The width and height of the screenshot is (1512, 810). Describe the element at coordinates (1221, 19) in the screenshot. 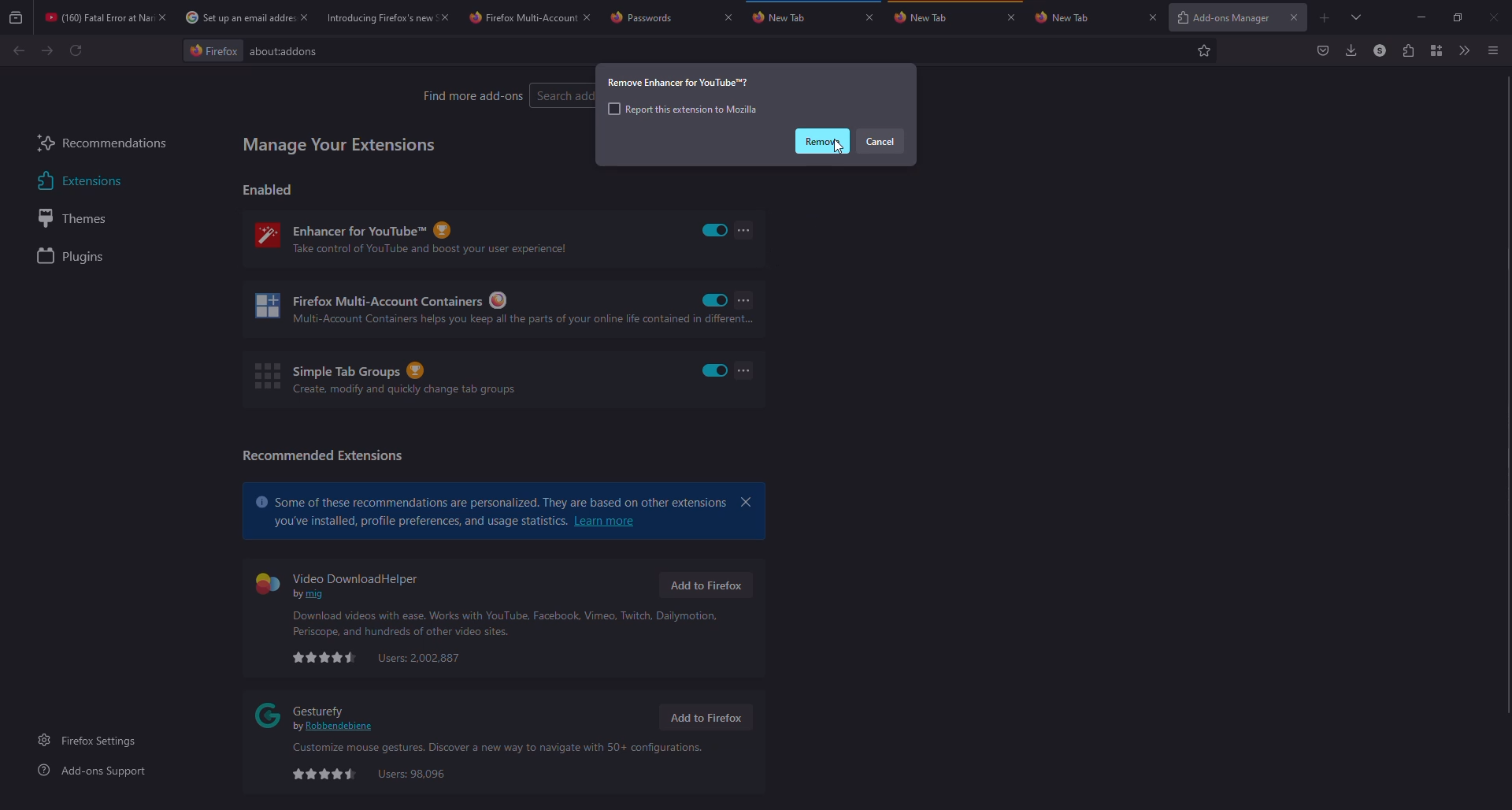

I see `add-ons manager` at that location.